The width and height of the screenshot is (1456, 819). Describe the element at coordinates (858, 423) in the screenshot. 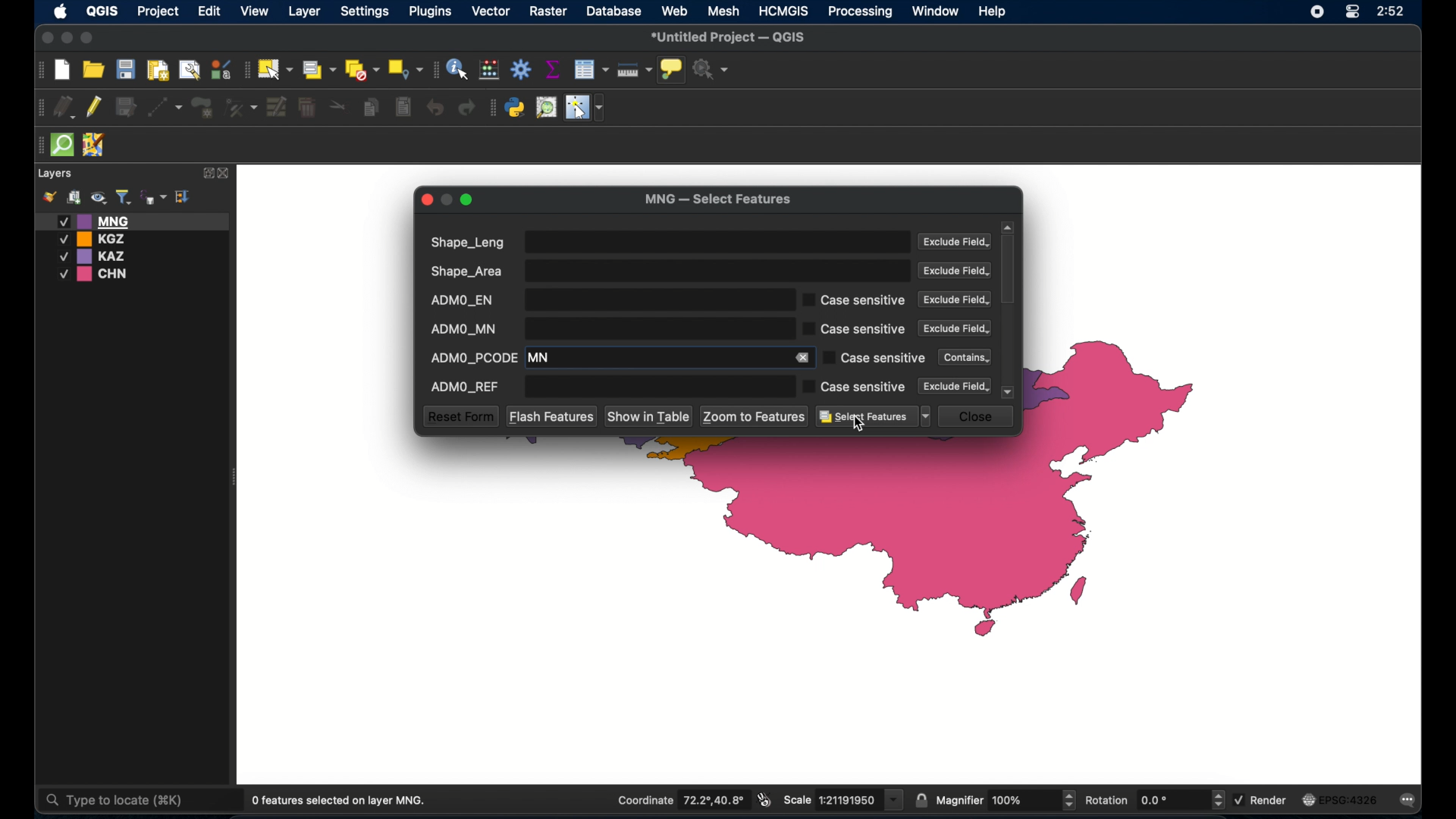

I see `cursor` at that location.